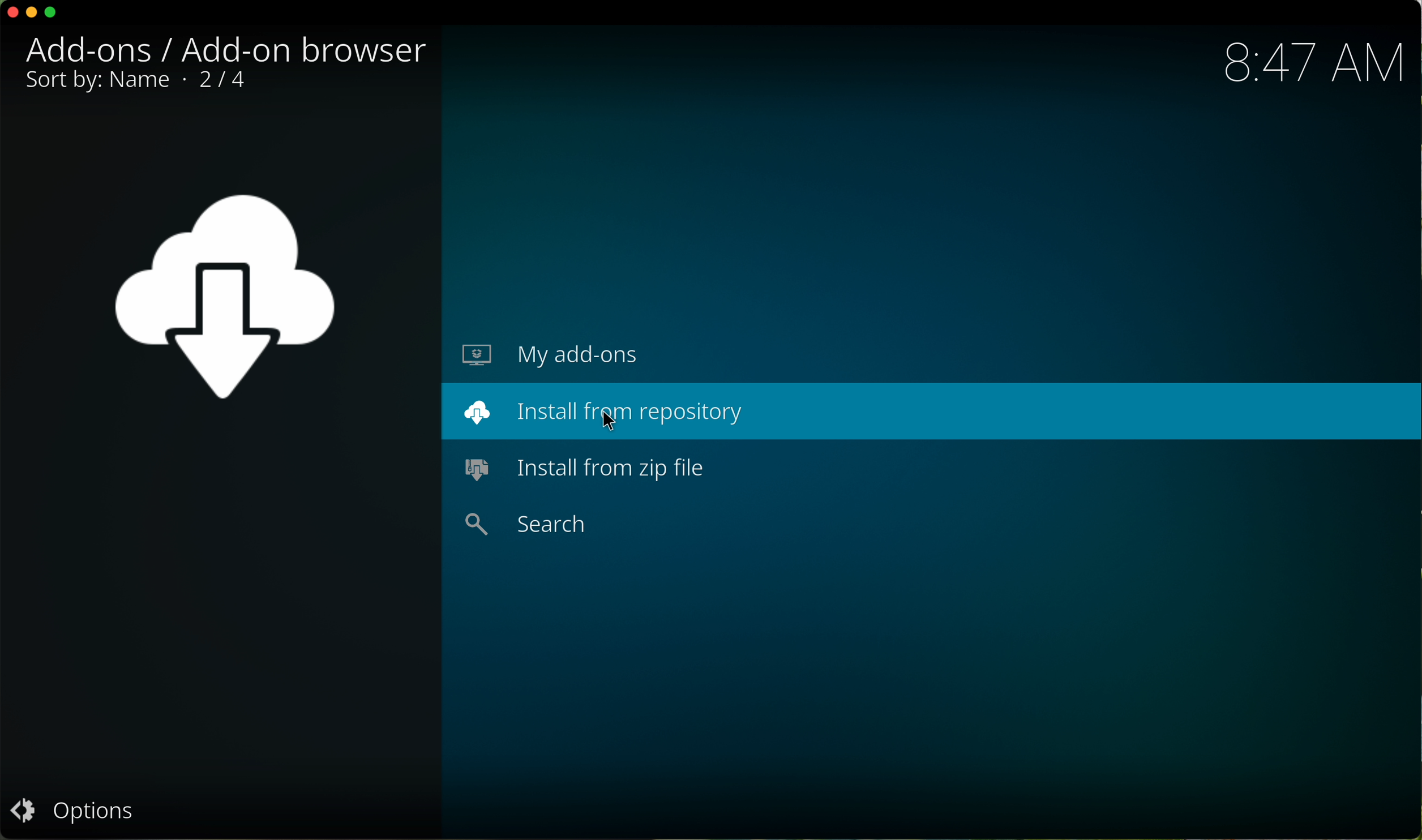  Describe the element at coordinates (10, 12) in the screenshot. I see `close` at that location.